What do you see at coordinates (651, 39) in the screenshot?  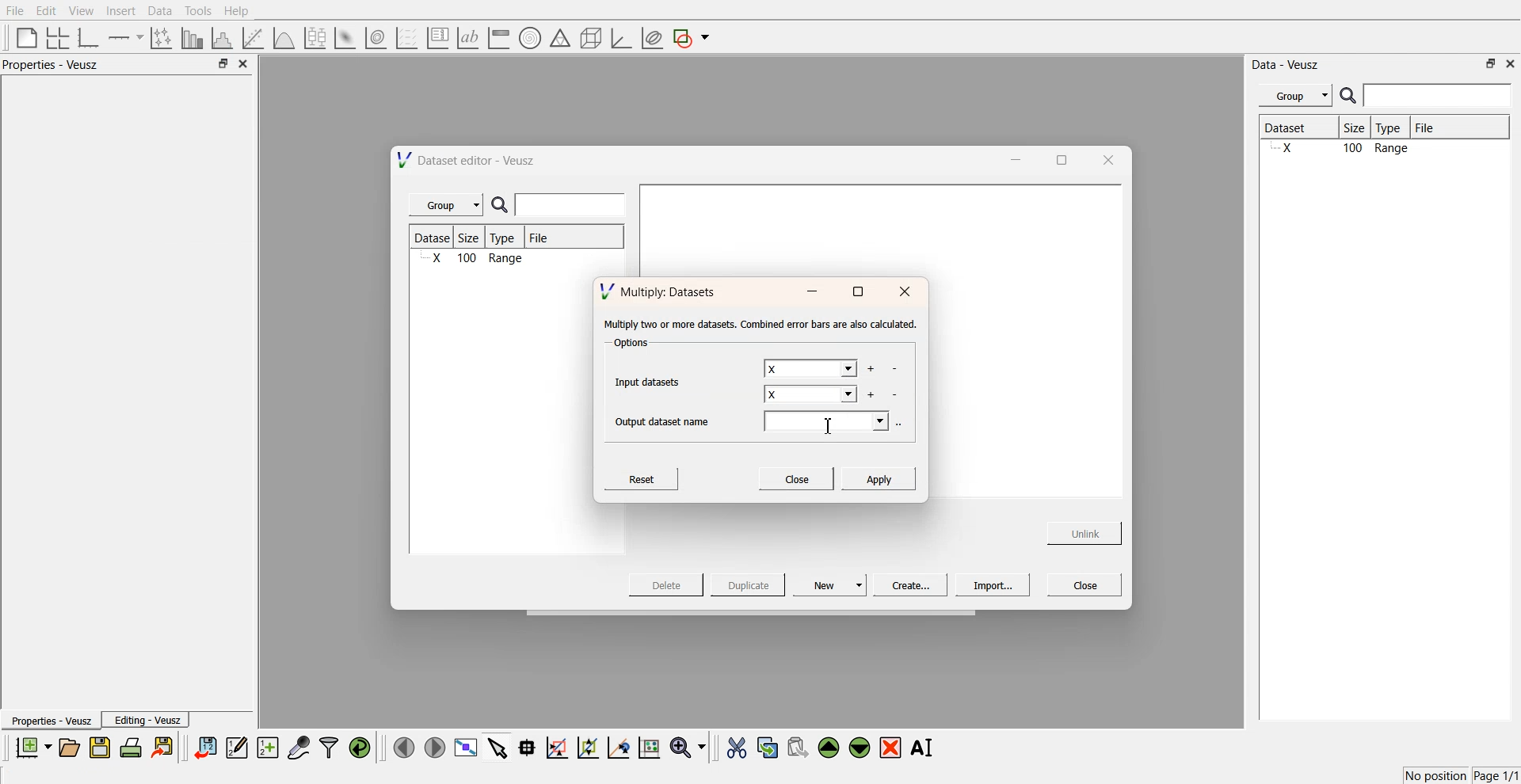 I see `plot covariance ellipses` at bounding box center [651, 39].